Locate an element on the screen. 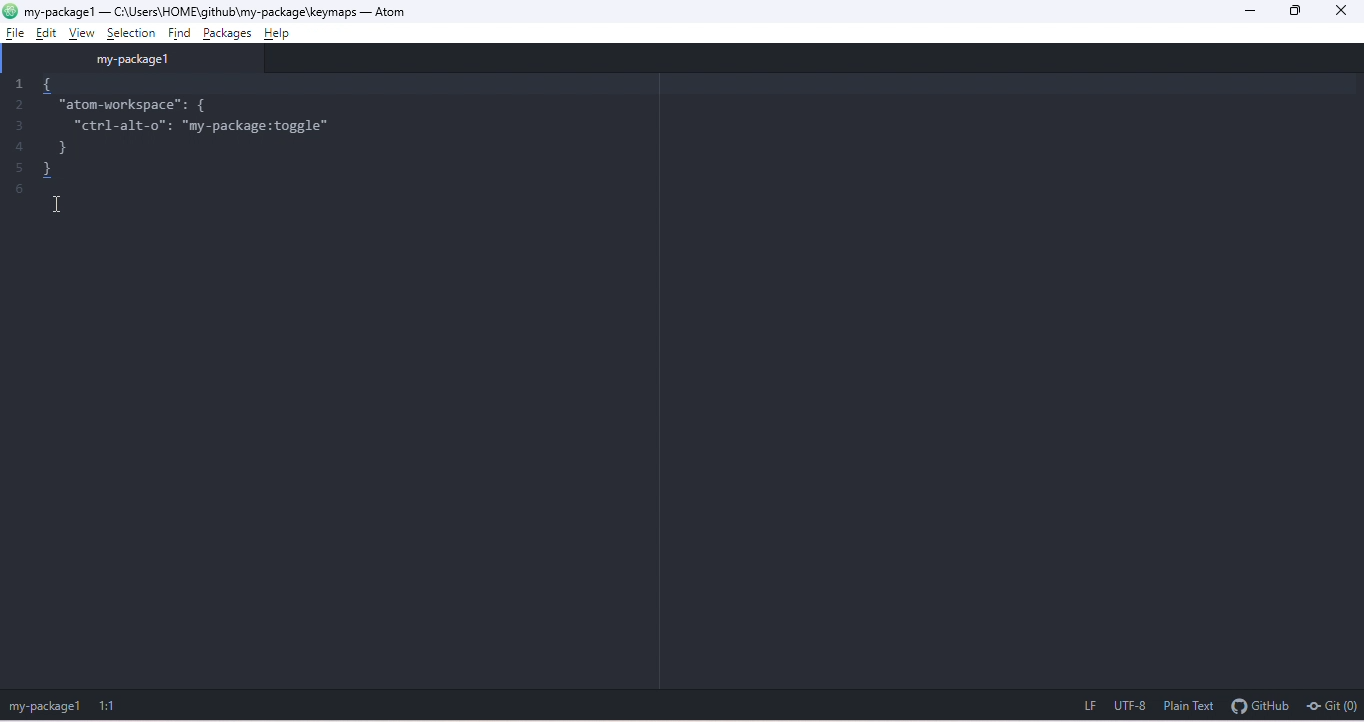 The image size is (1364, 722). lf is located at coordinates (1078, 706).